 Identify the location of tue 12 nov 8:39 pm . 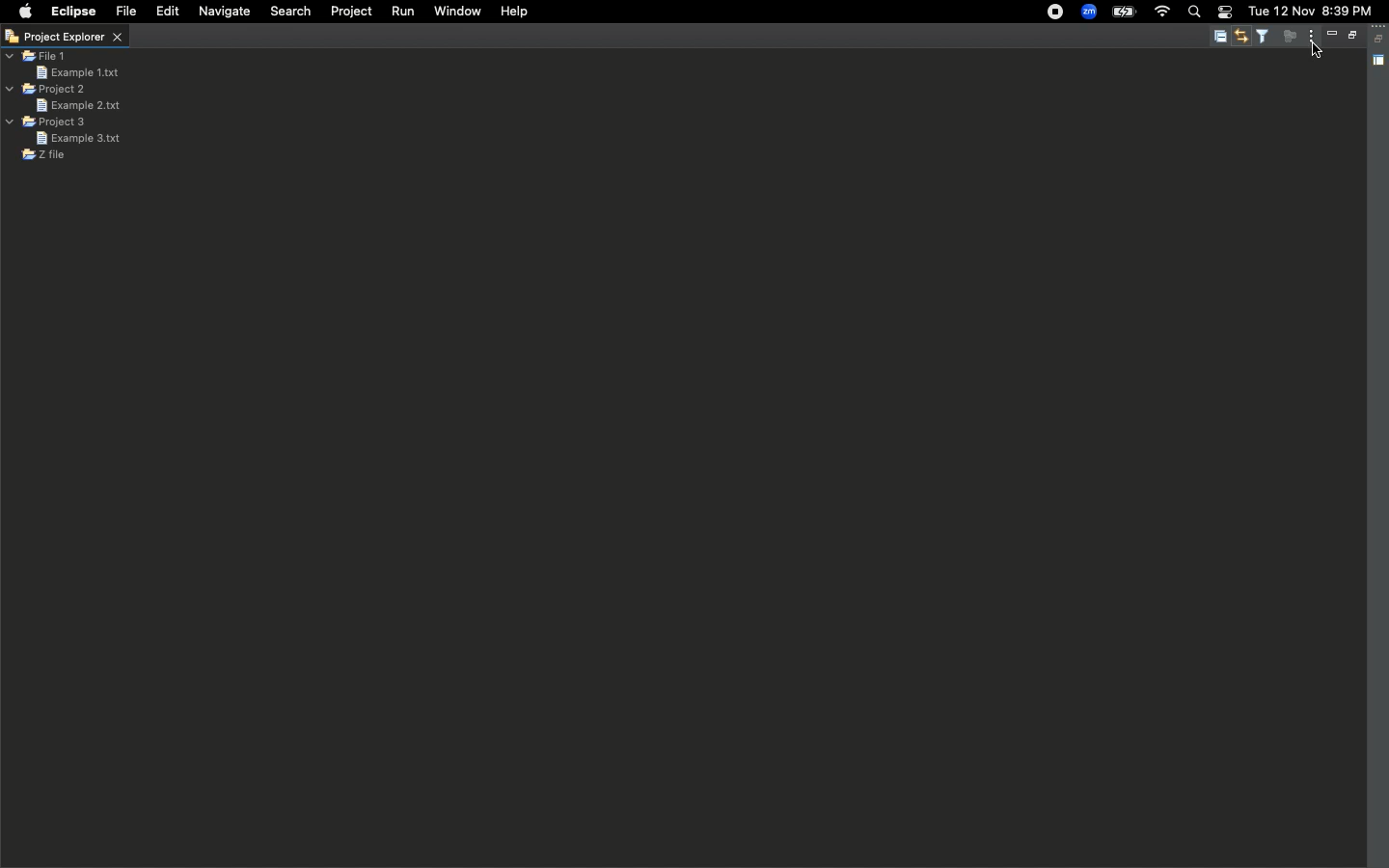
(1313, 11).